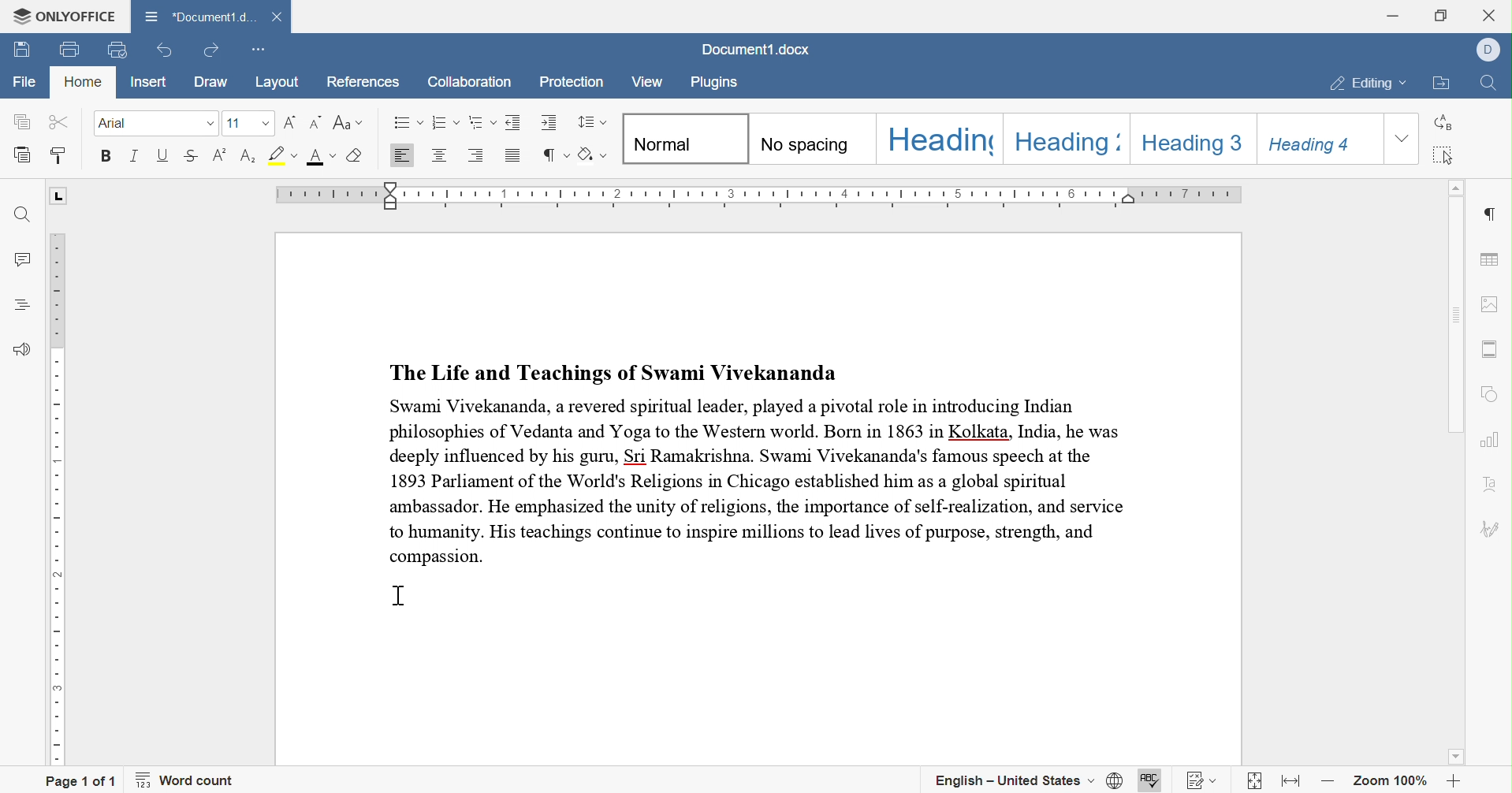 The image size is (1512, 793). I want to click on customize quick access toolbar, so click(256, 52).